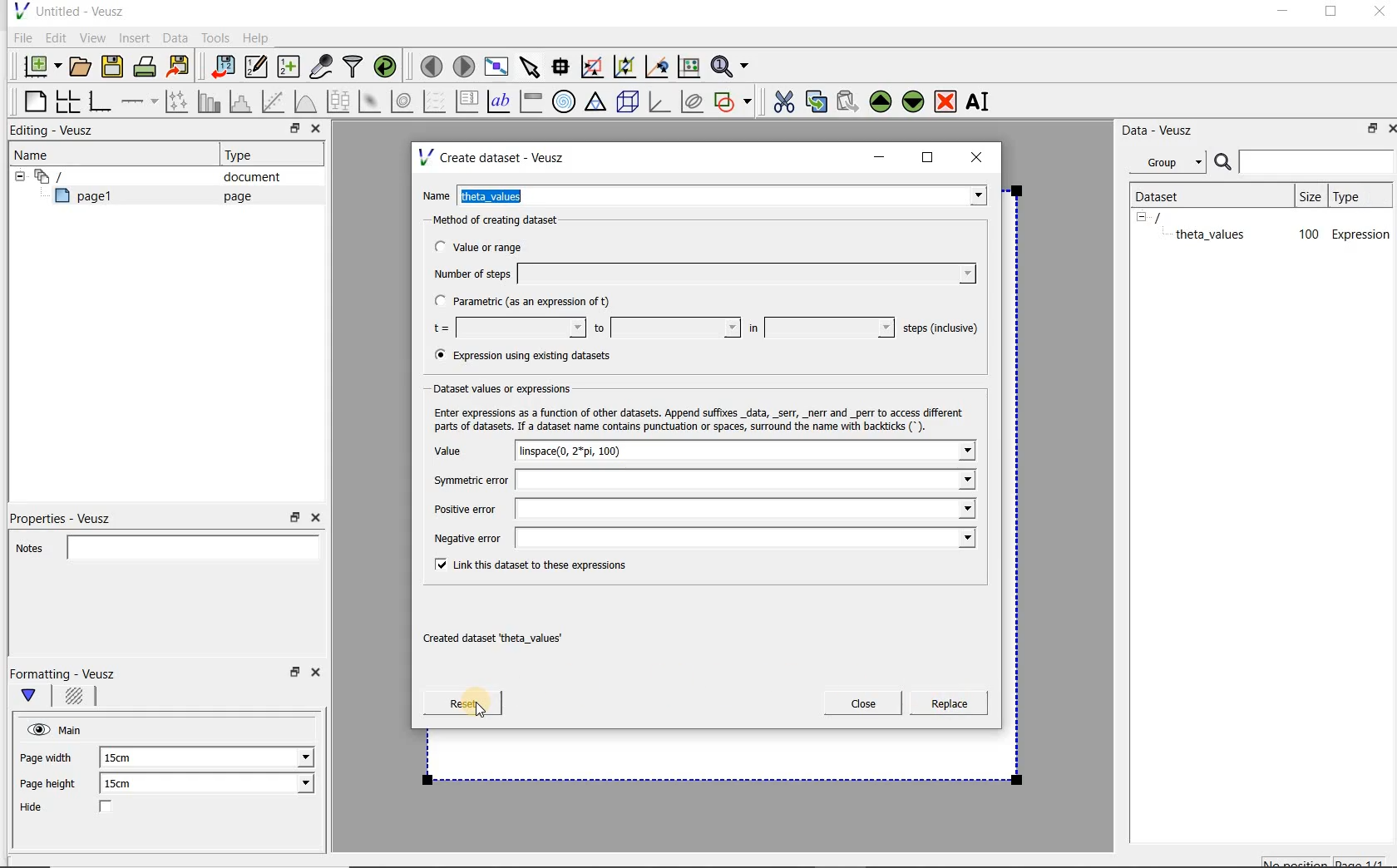 This screenshot has width=1397, height=868. Describe the element at coordinates (258, 37) in the screenshot. I see `Help` at that location.